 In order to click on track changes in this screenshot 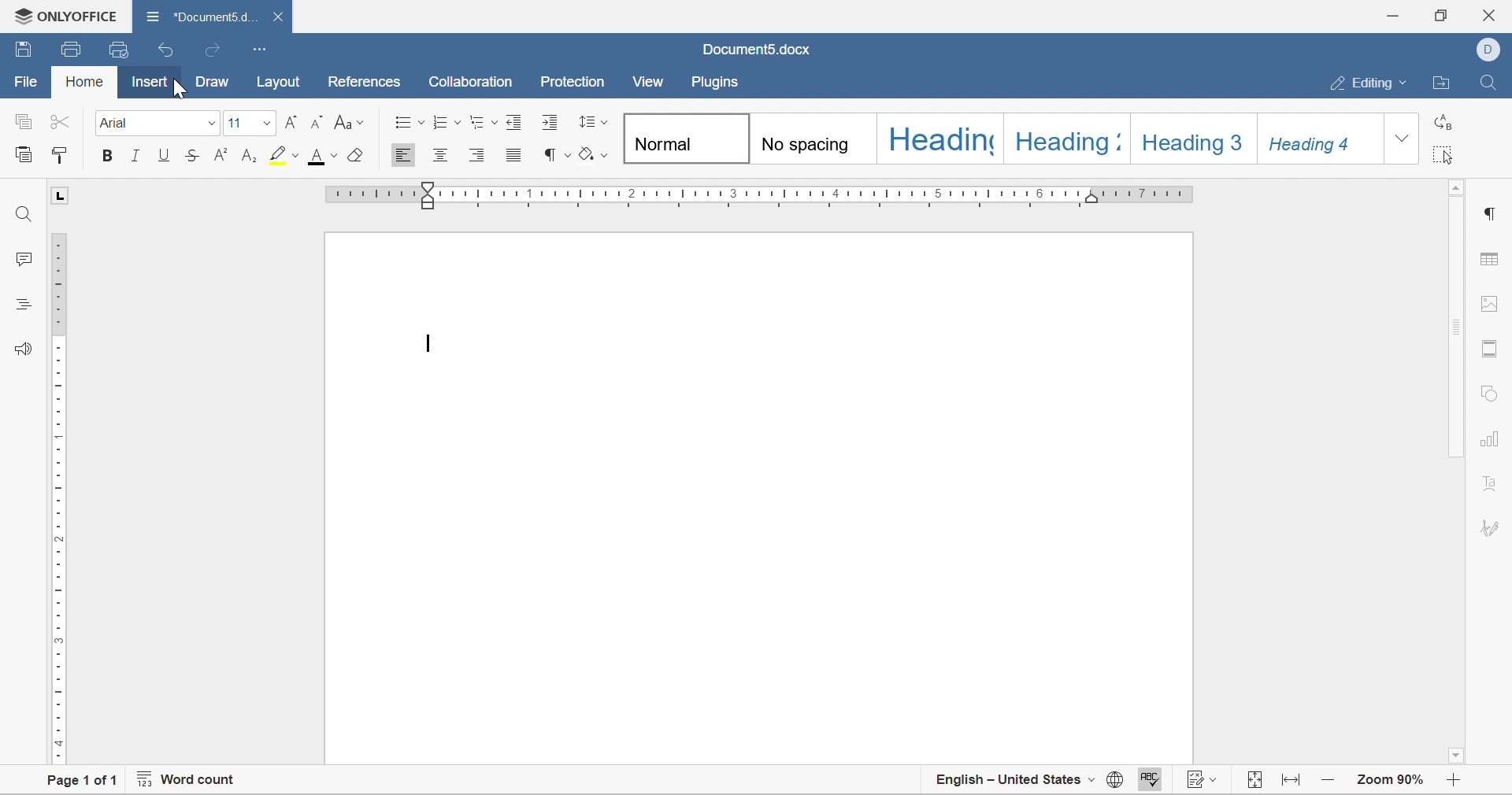, I will do `click(1199, 782)`.